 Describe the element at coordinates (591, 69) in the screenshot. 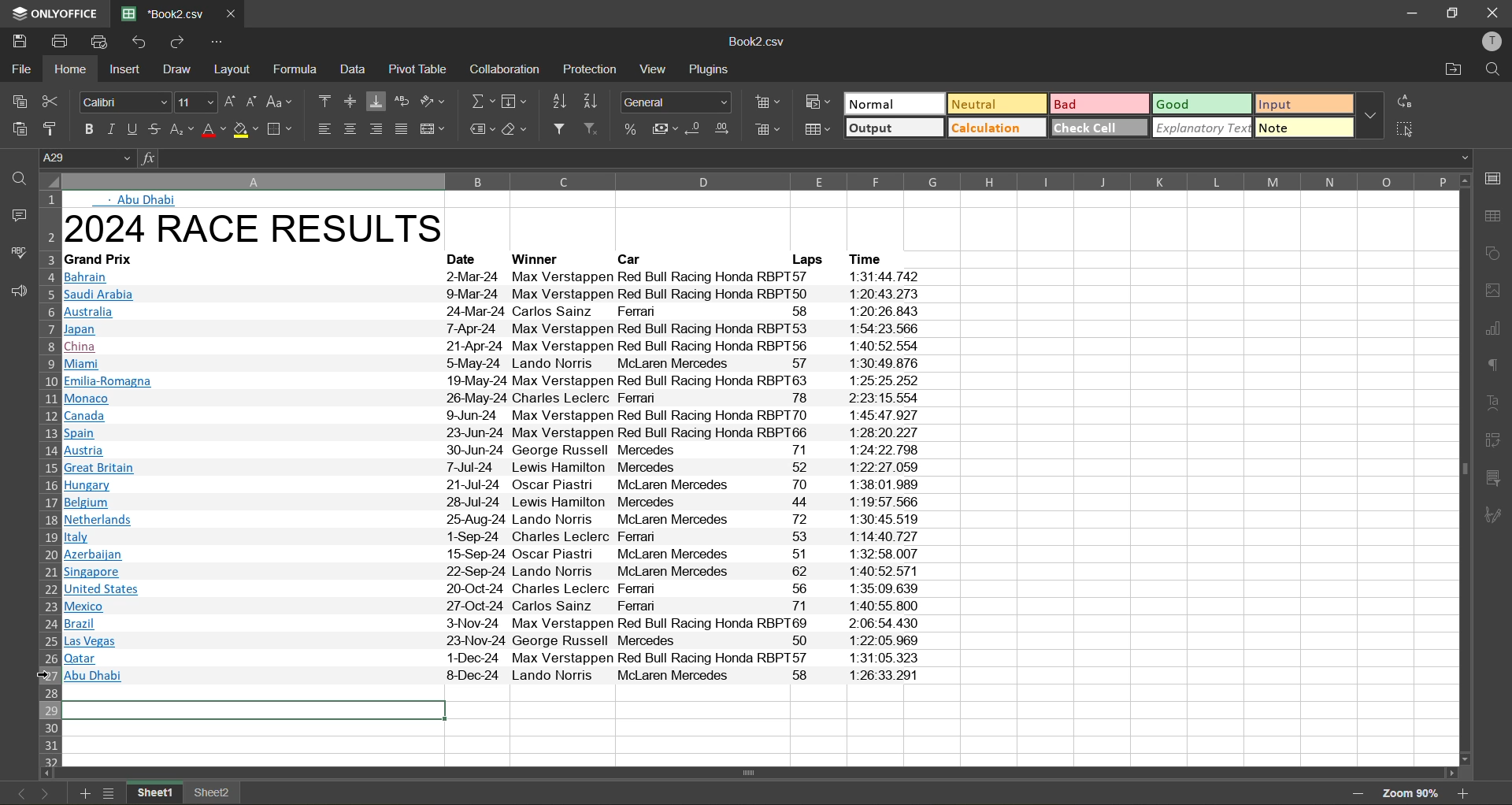

I see `protection` at that location.